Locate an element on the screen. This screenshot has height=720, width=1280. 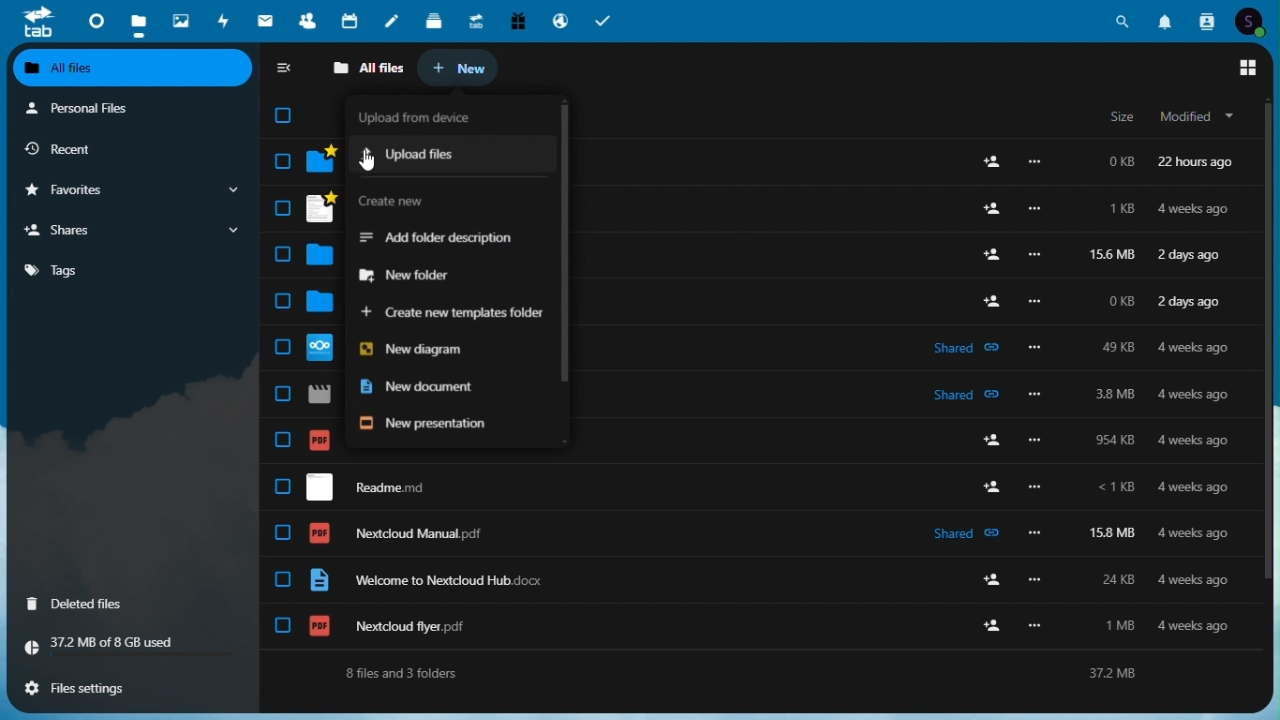
shared is located at coordinates (968, 350).